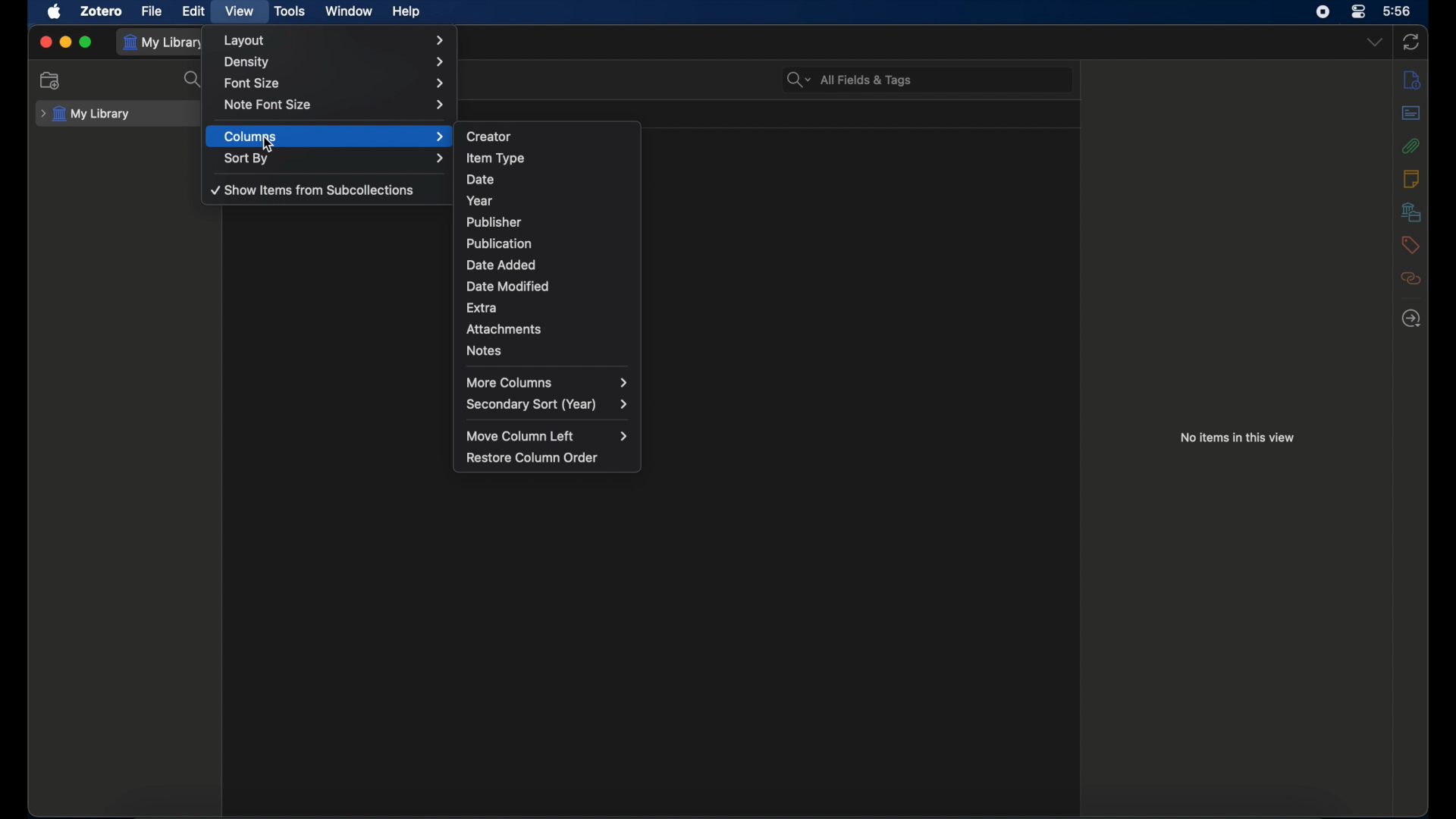 This screenshot has width=1456, height=819. I want to click on restore column order, so click(533, 458).